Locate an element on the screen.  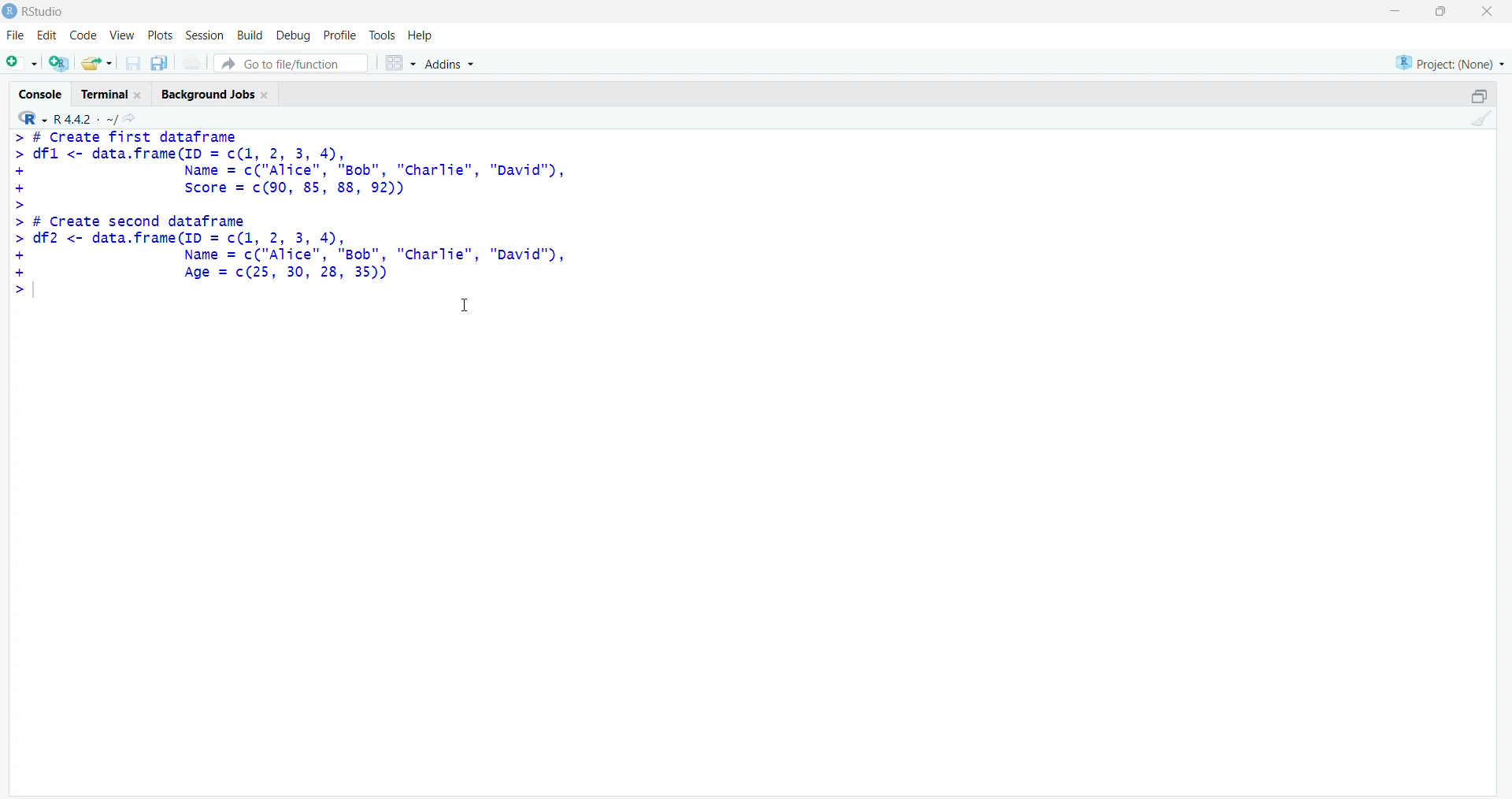
Background jobs is located at coordinates (208, 95).